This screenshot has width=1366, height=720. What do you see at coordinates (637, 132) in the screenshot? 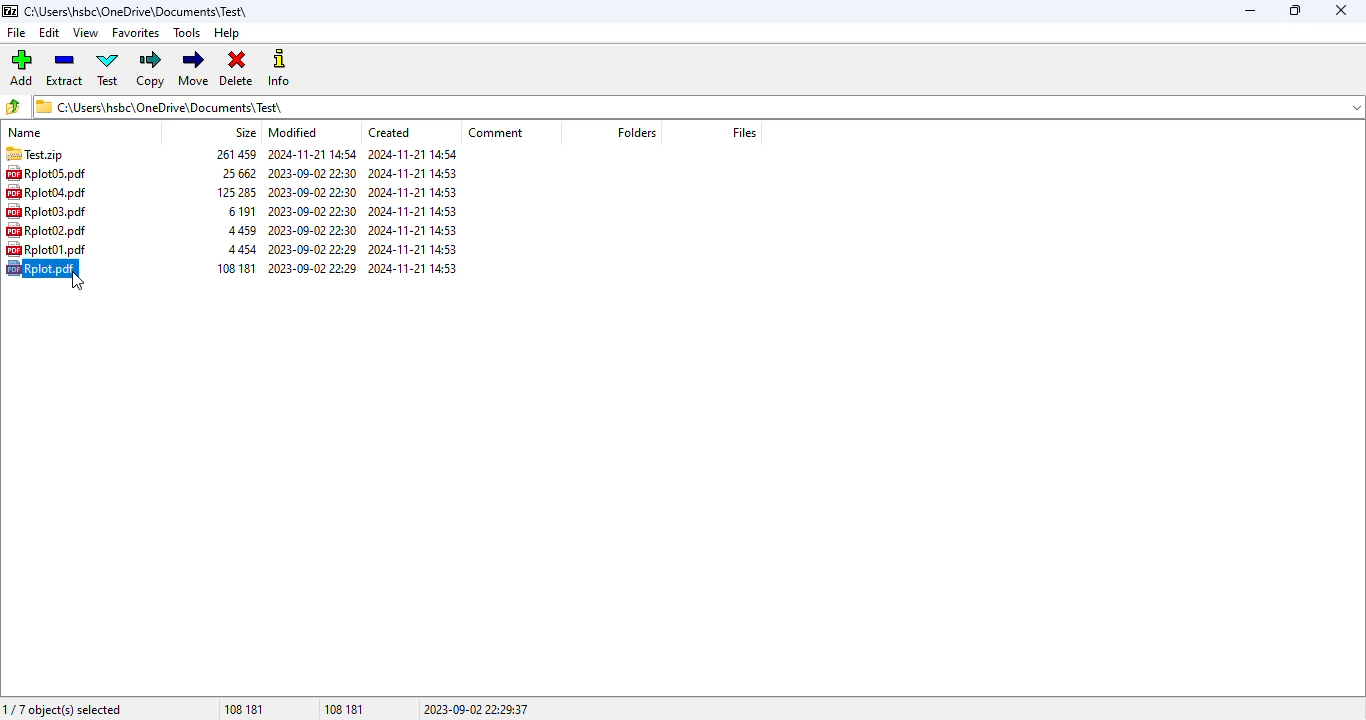
I see `folders` at bounding box center [637, 132].